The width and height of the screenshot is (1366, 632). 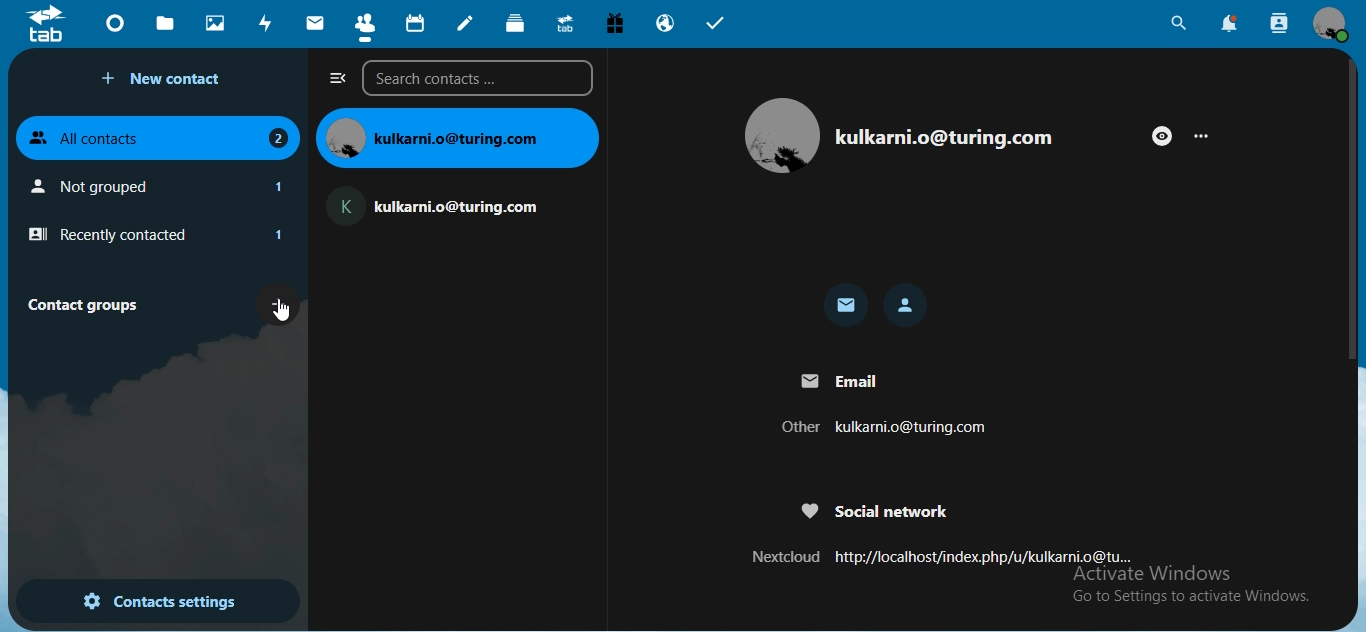 I want to click on kulkarni.o@turing.com, so click(x=457, y=137).